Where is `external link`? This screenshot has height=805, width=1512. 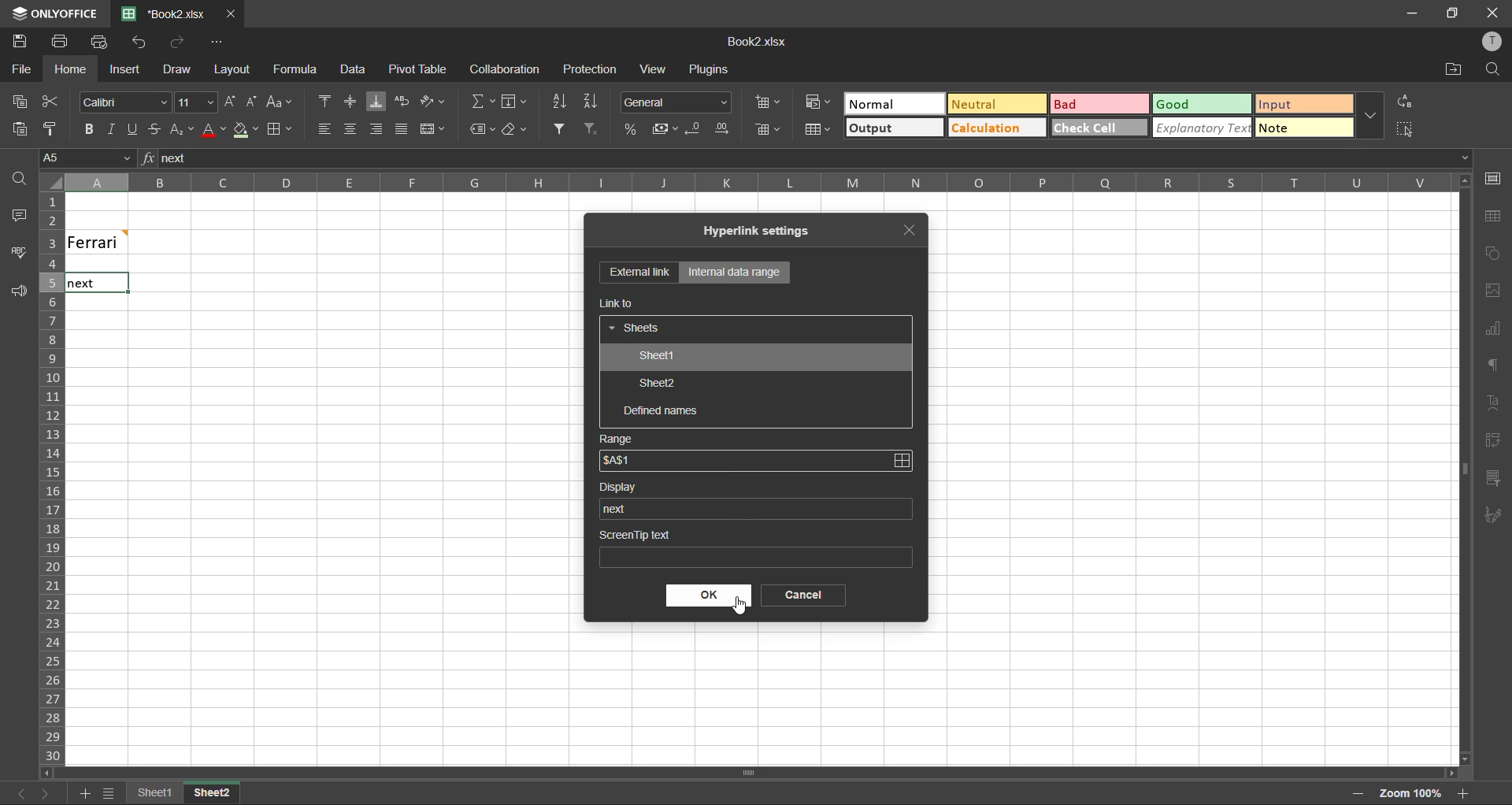
external link is located at coordinates (639, 273).